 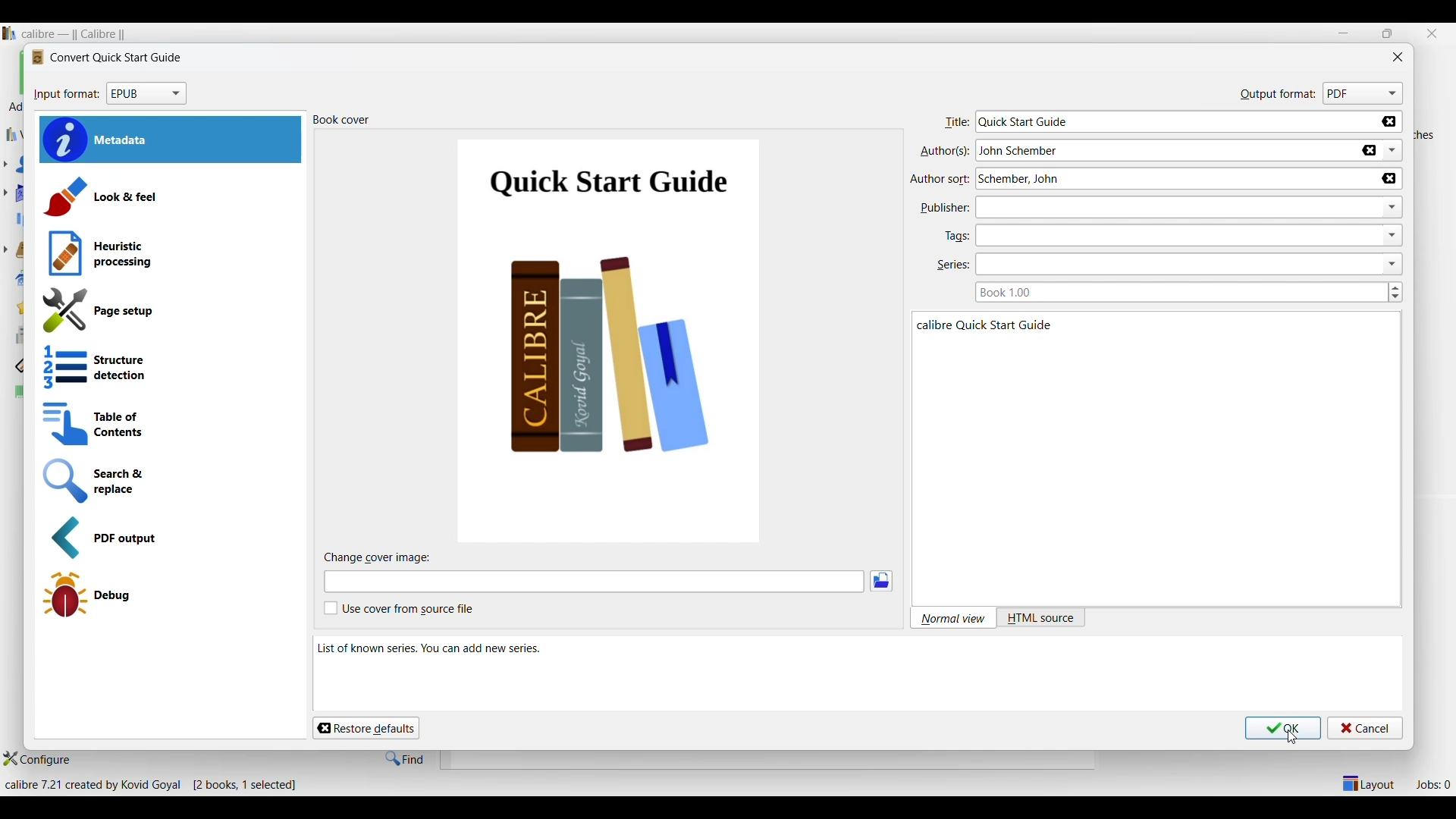 I want to click on Type in publisher, so click(x=1147, y=208).